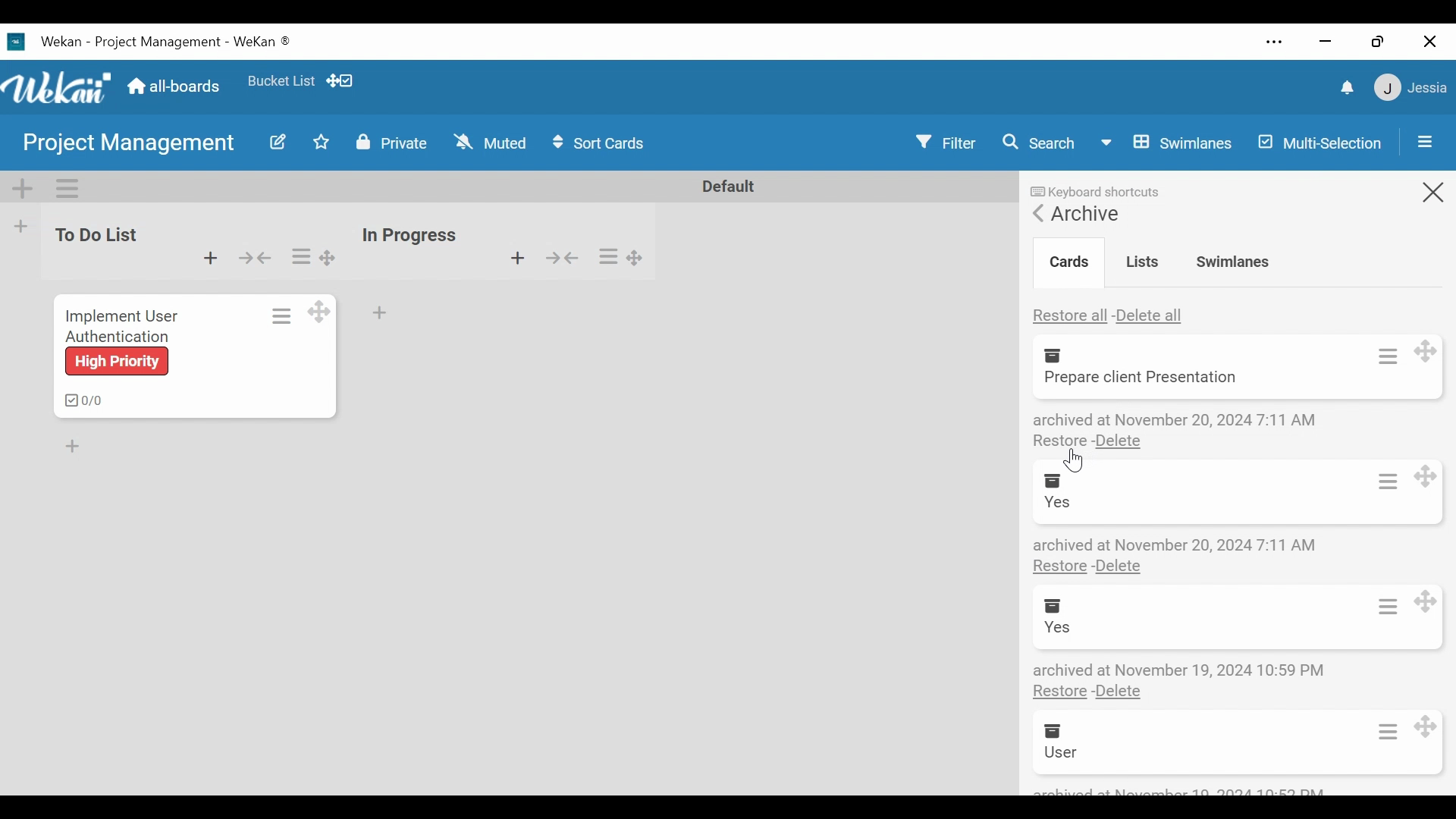  Describe the element at coordinates (93, 234) in the screenshot. I see `List Name` at that location.